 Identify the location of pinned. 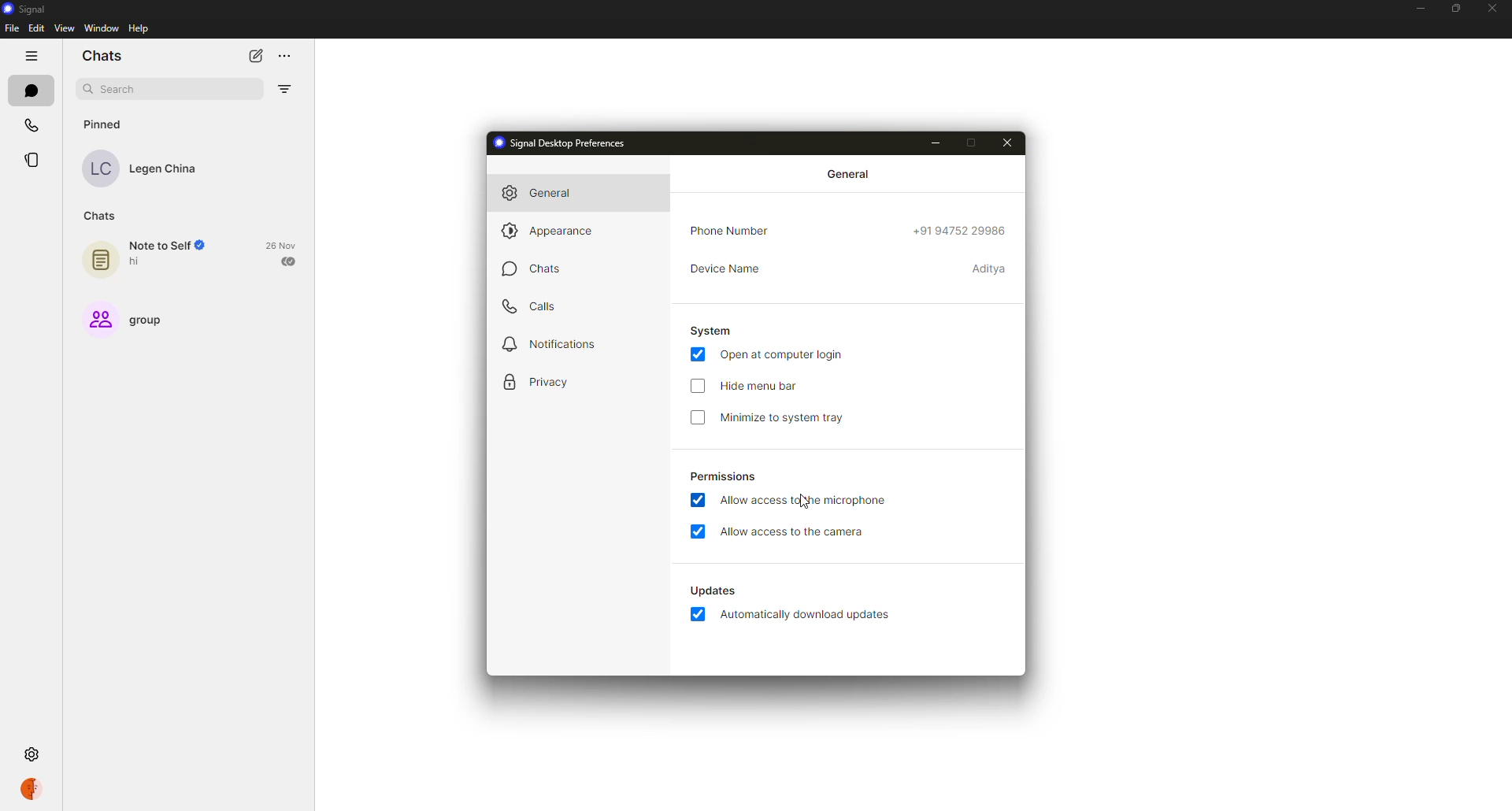
(106, 124).